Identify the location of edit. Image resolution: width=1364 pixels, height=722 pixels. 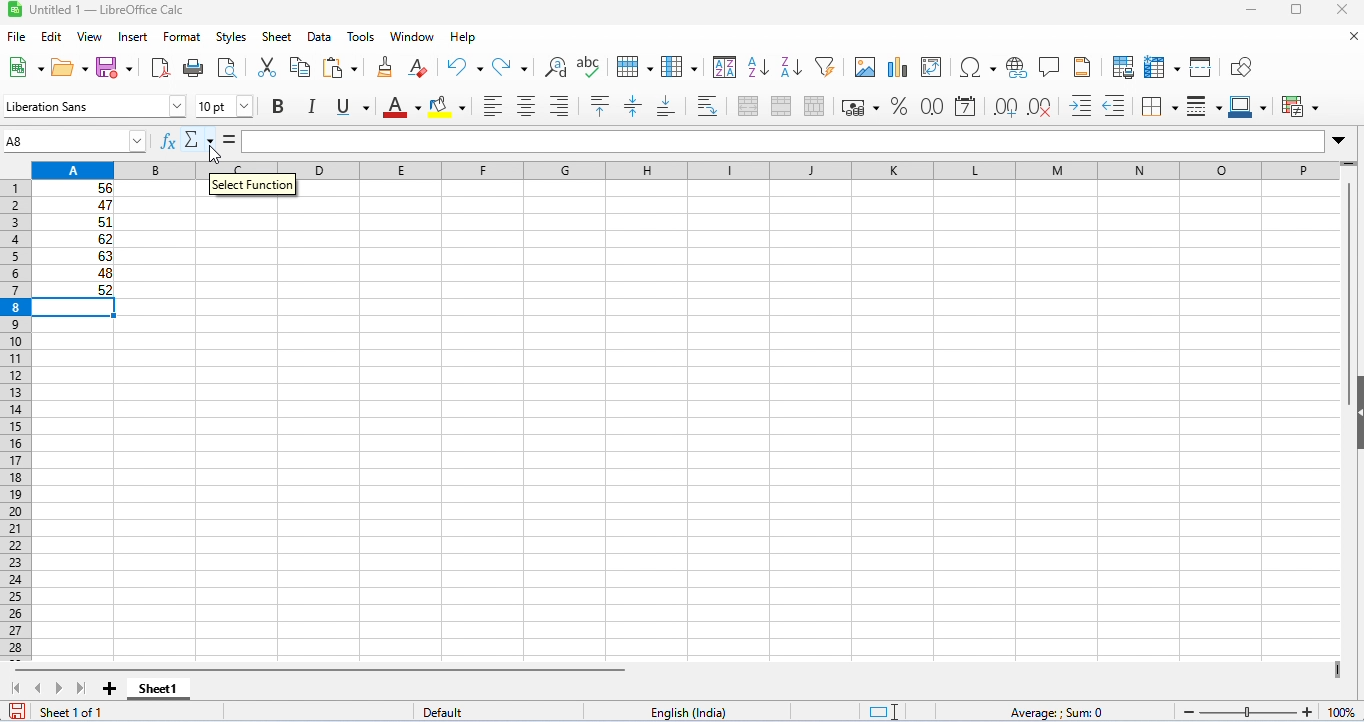
(52, 37).